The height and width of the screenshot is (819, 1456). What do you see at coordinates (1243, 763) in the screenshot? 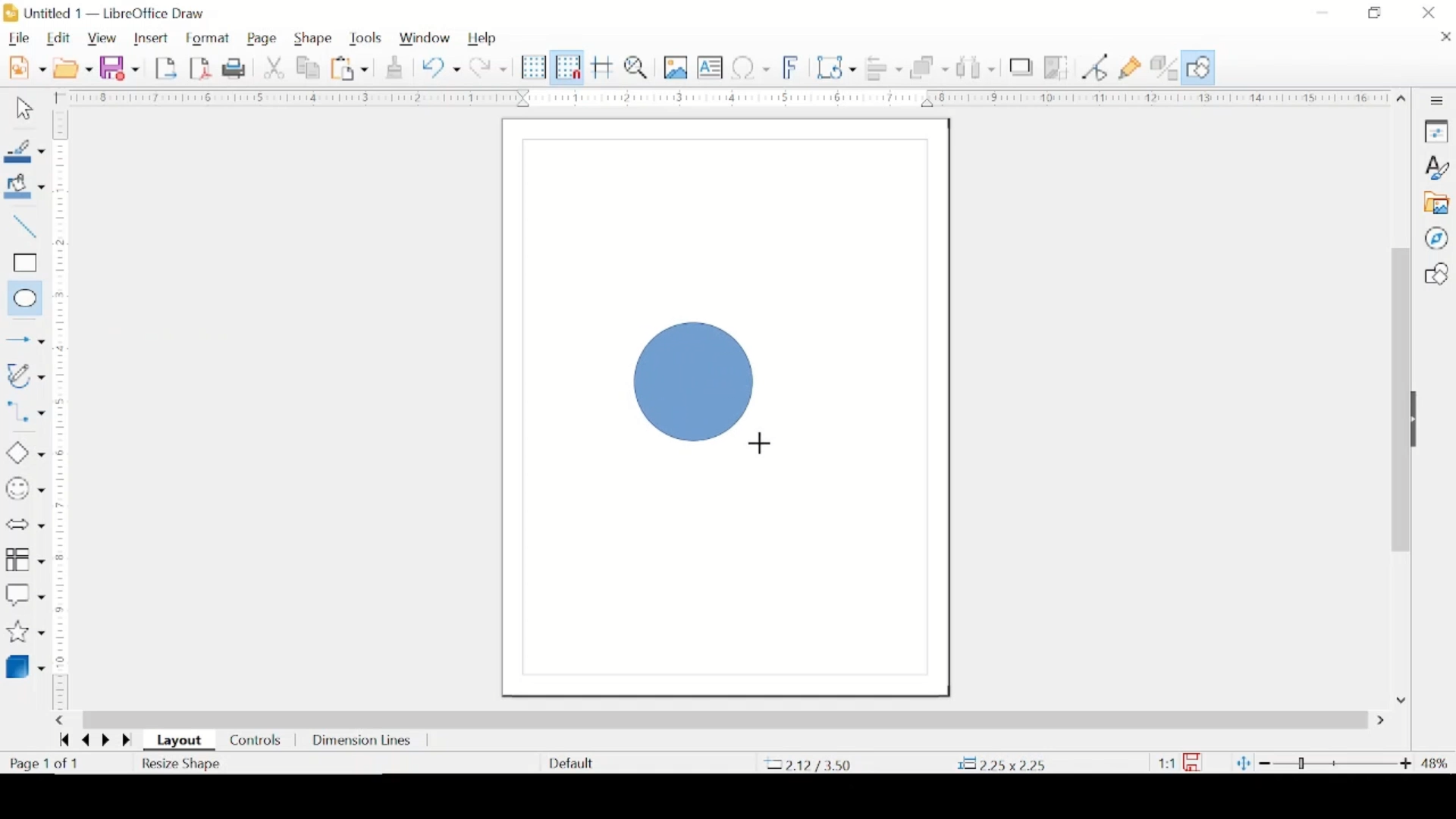
I see `fit page to current window` at bounding box center [1243, 763].